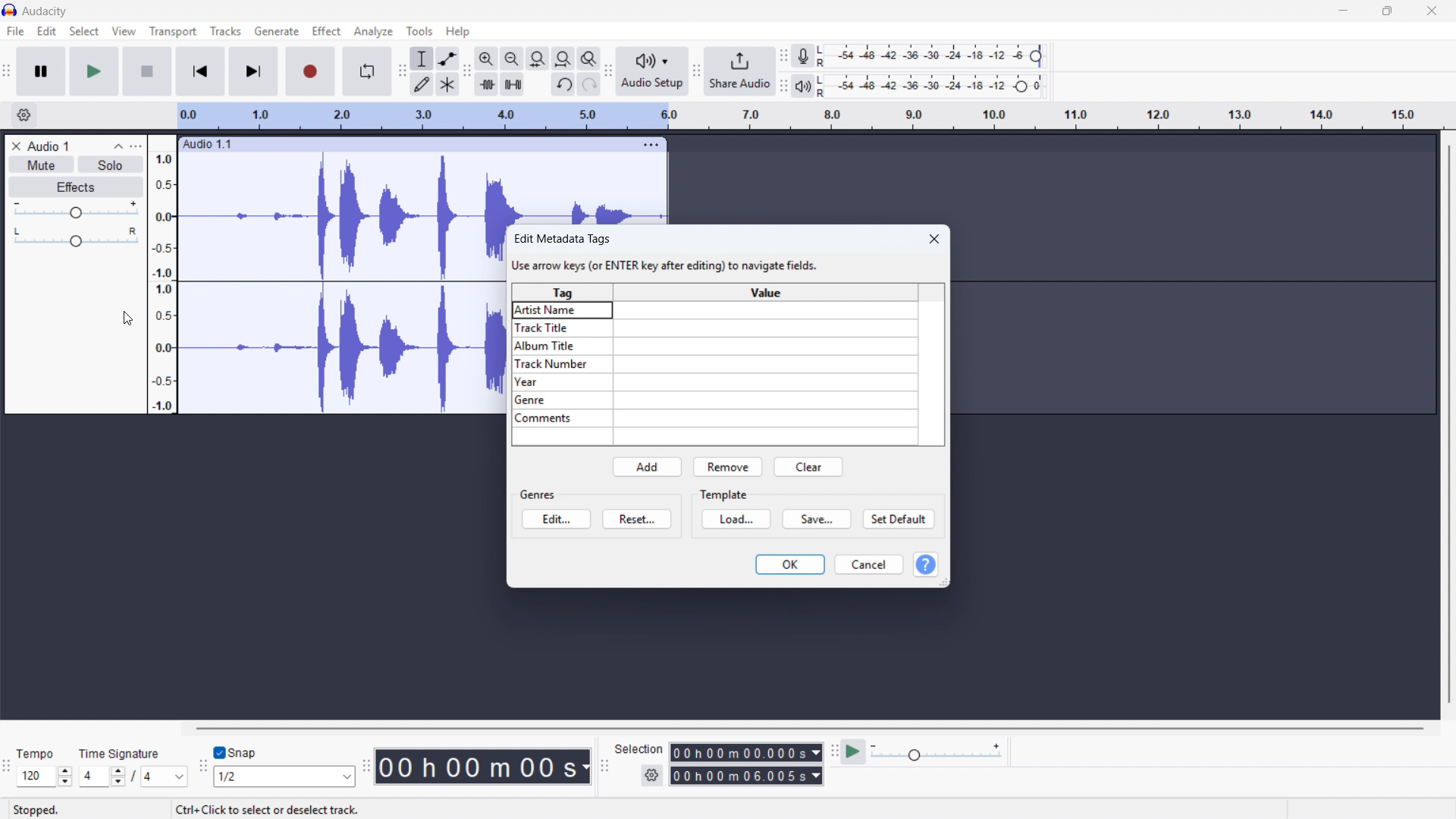 The image size is (1456, 819). What do you see at coordinates (512, 85) in the screenshot?
I see `silence audio selection` at bounding box center [512, 85].